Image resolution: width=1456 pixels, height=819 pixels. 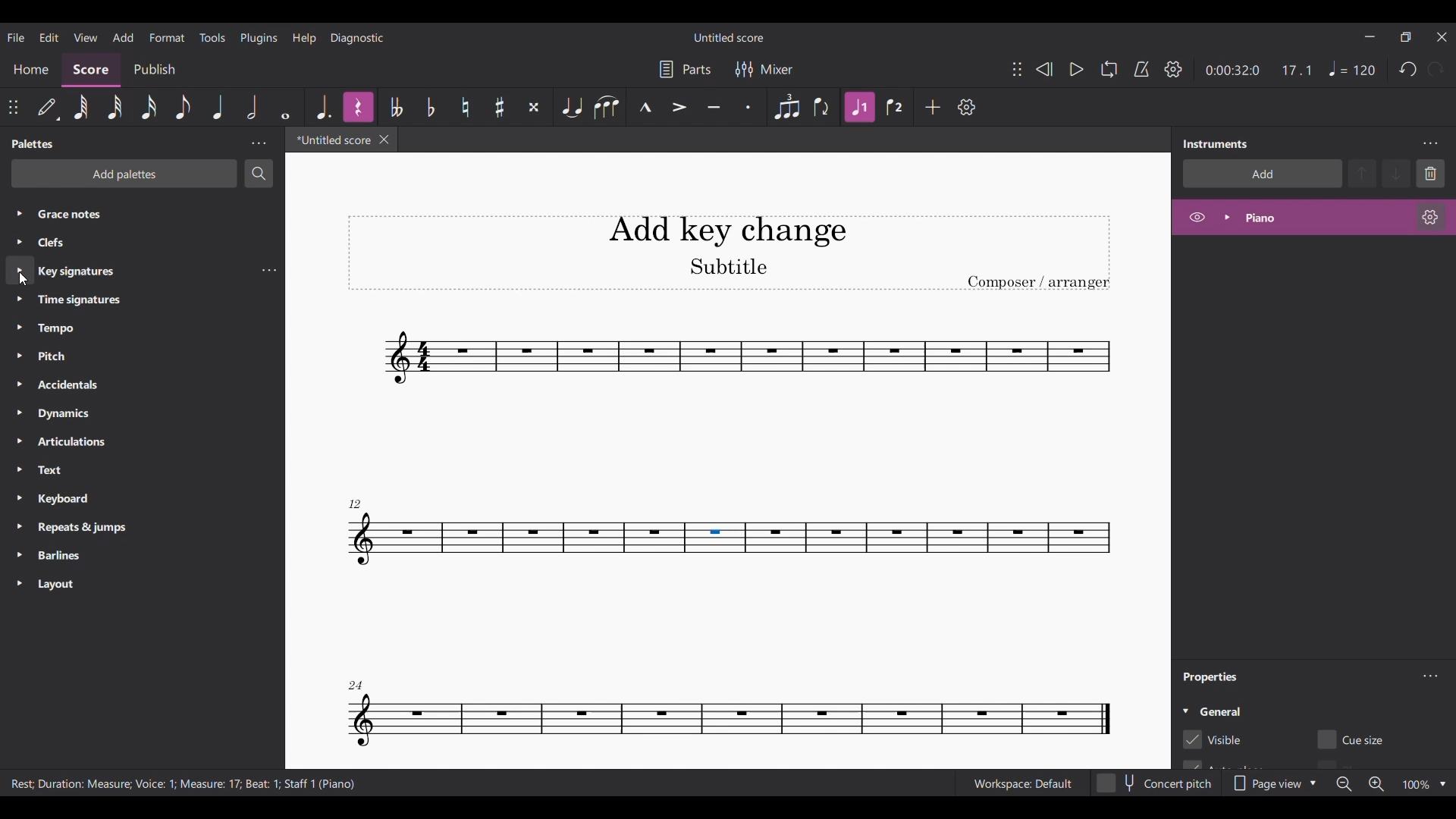 What do you see at coordinates (1313, 218) in the screenshot?
I see `Highlighted due to current selection` at bounding box center [1313, 218].